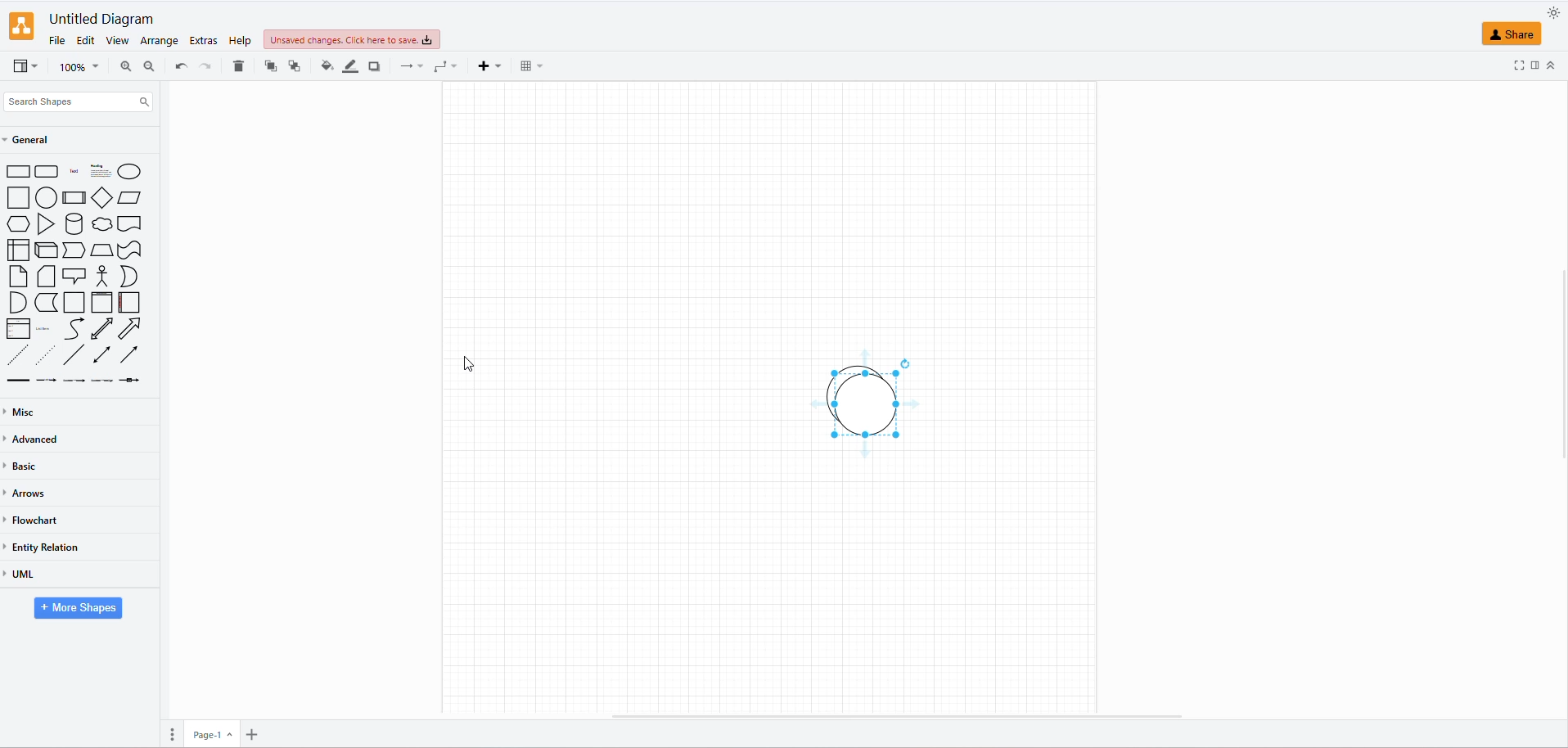 The height and width of the screenshot is (748, 1568). I want to click on CONTAINER, so click(74, 302).